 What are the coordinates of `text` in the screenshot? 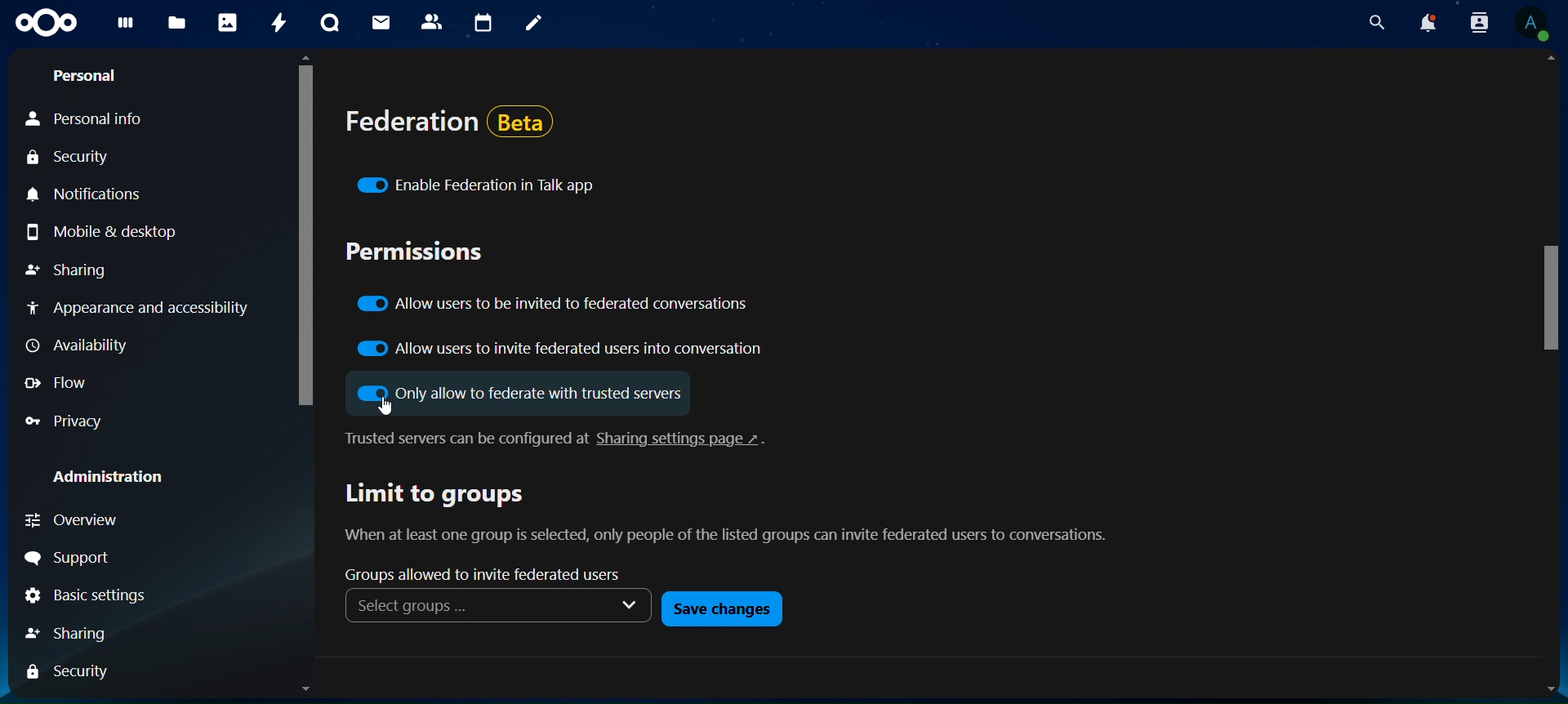 It's located at (734, 516).